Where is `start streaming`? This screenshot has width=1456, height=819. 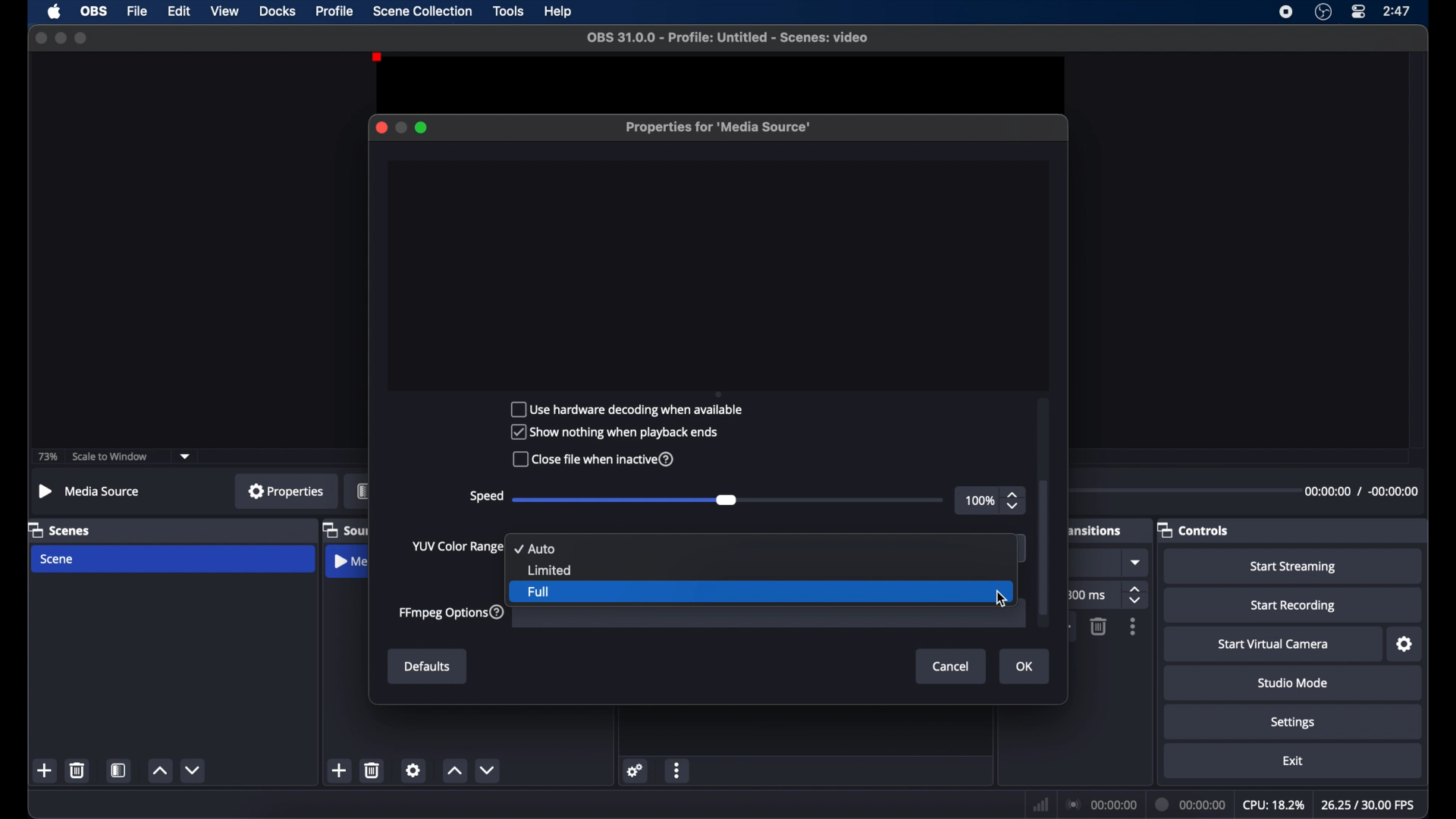 start streaming is located at coordinates (1292, 566).